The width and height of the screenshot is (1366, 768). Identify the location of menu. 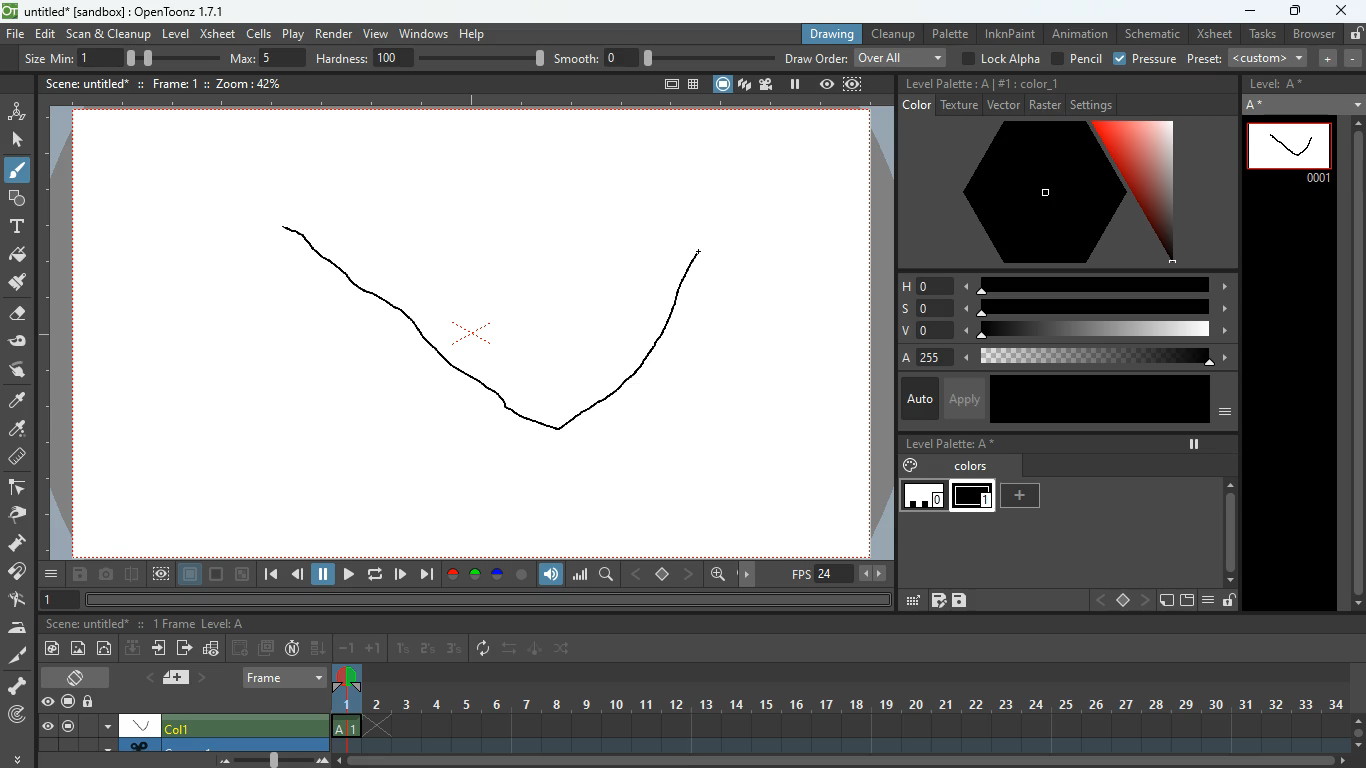
(1226, 413).